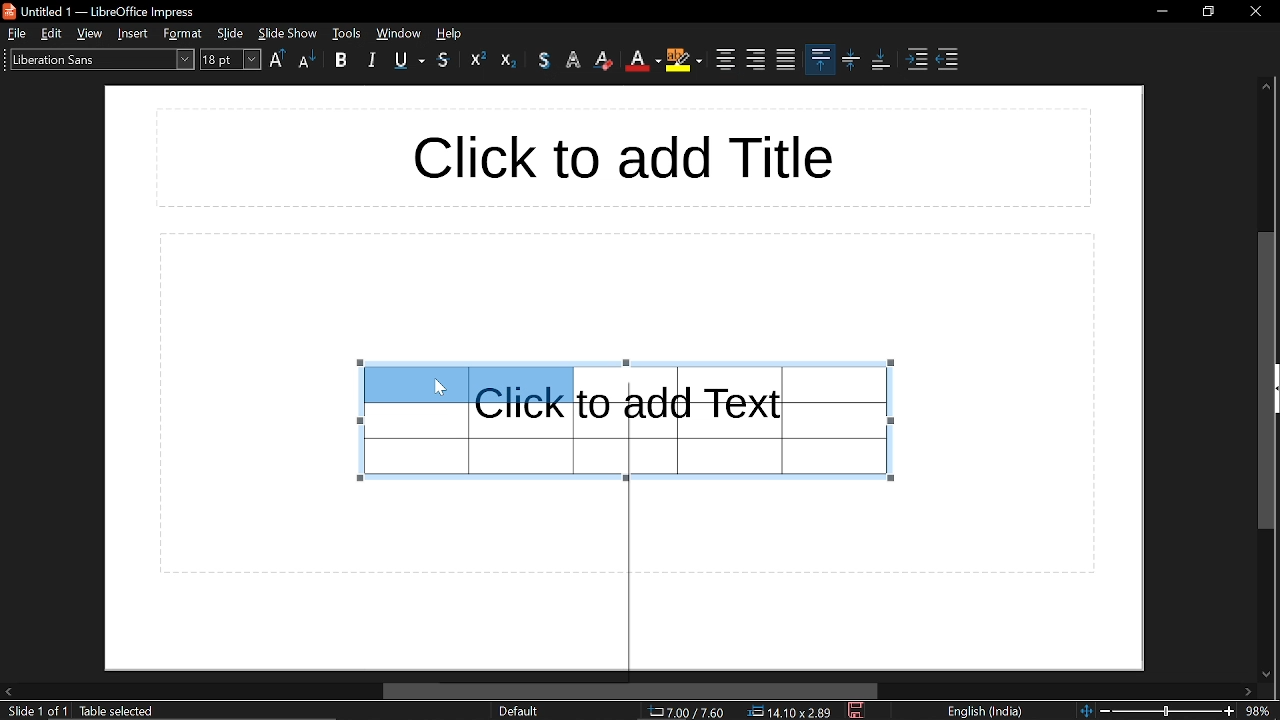  Describe the element at coordinates (231, 61) in the screenshot. I see `text size` at that location.